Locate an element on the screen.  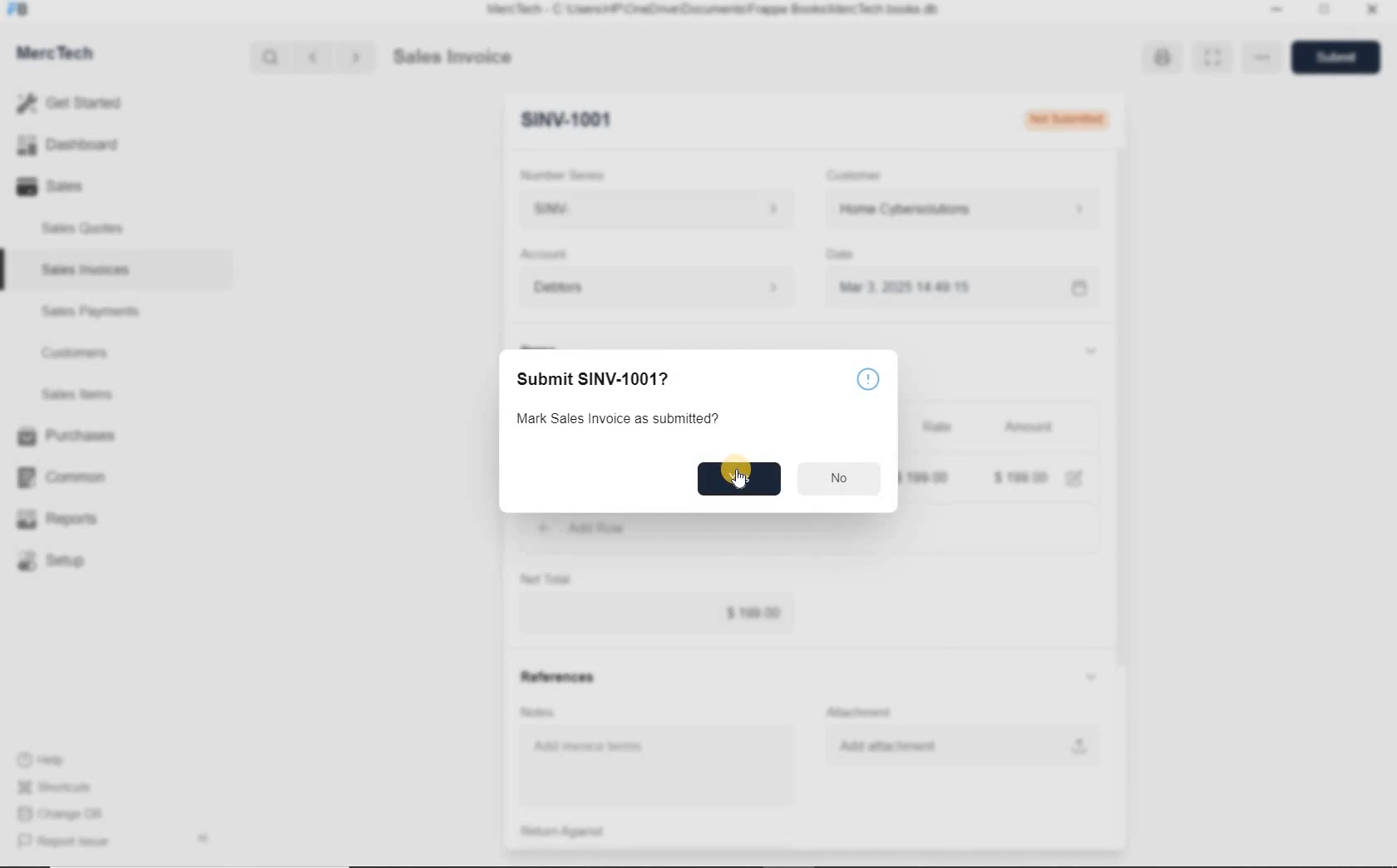
Common is located at coordinates (69, 476).